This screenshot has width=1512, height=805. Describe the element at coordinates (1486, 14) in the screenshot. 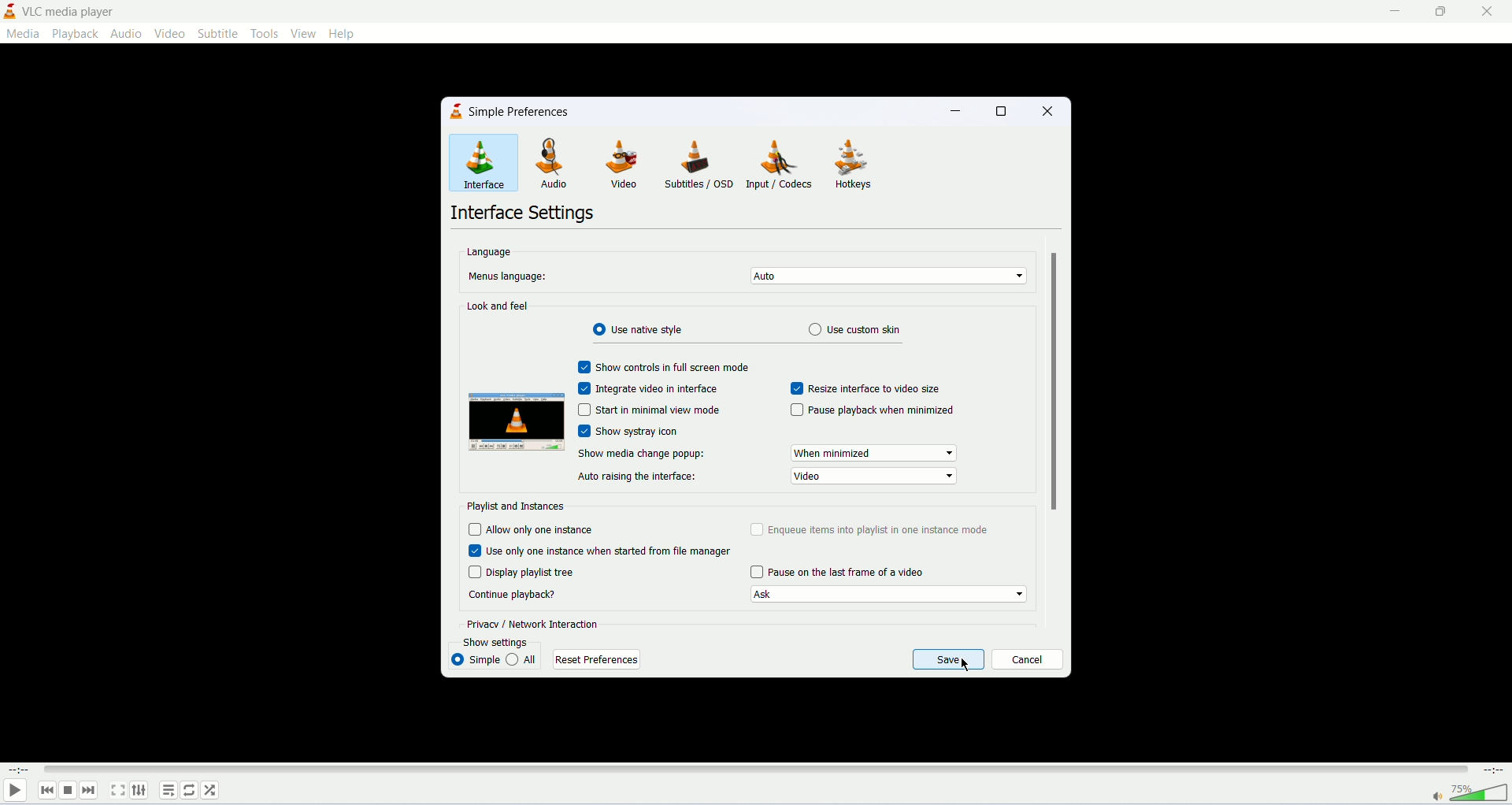

I see `close` at that location.